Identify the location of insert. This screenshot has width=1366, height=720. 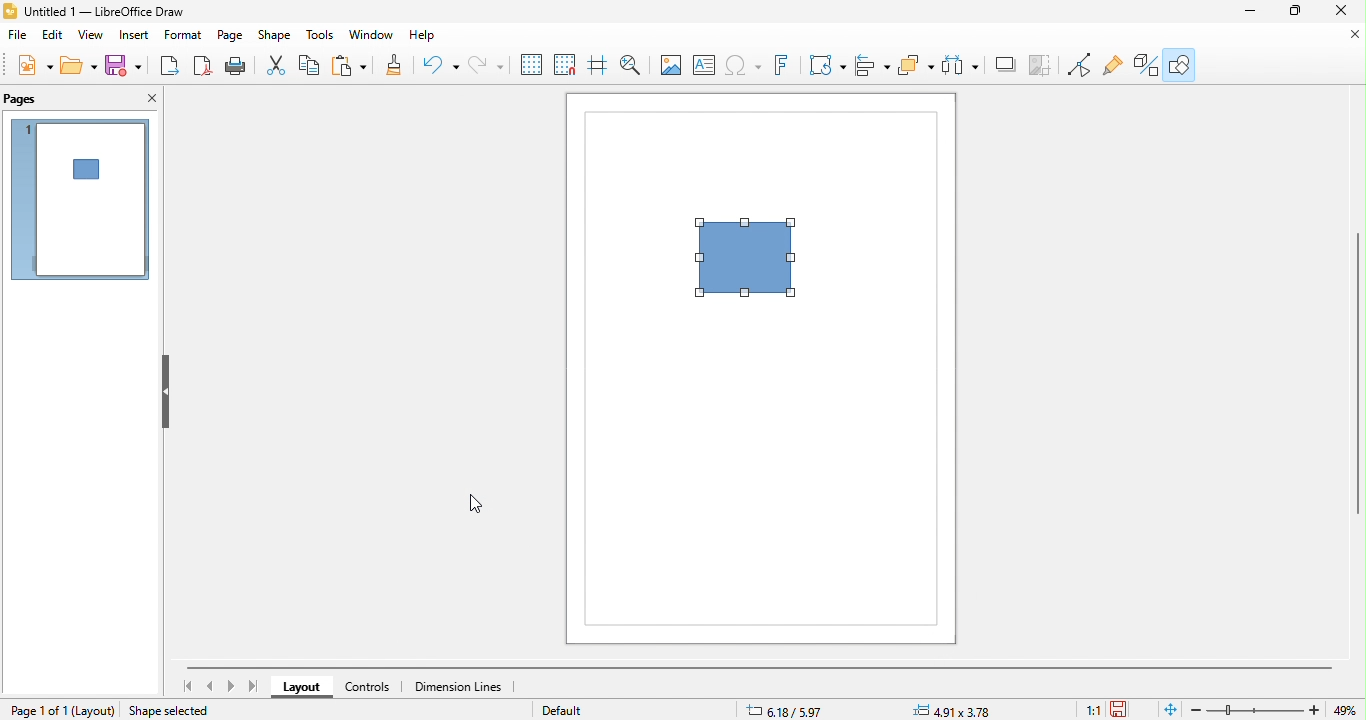
(137, 37).